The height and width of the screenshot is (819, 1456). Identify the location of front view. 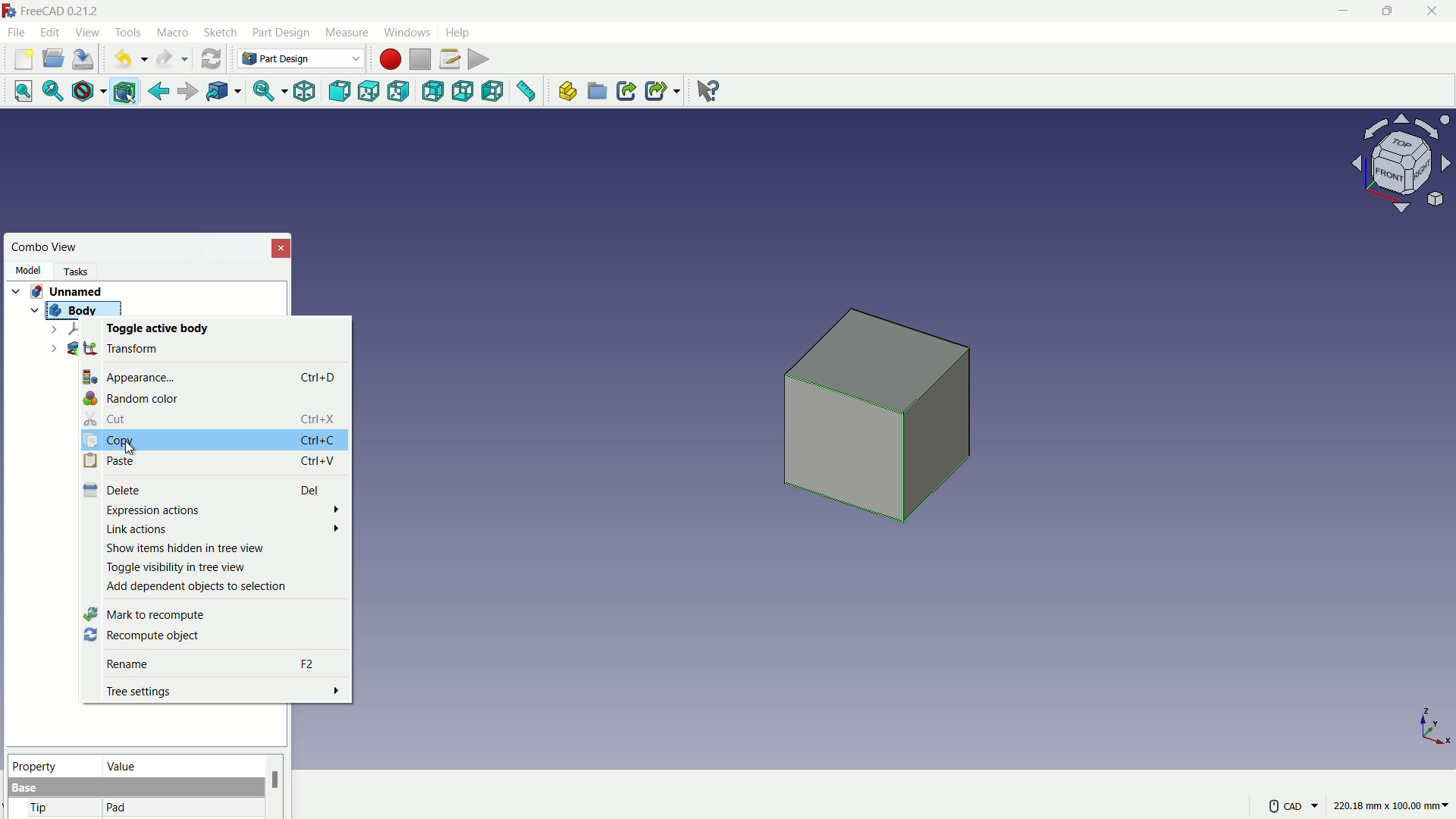
(341, 92).